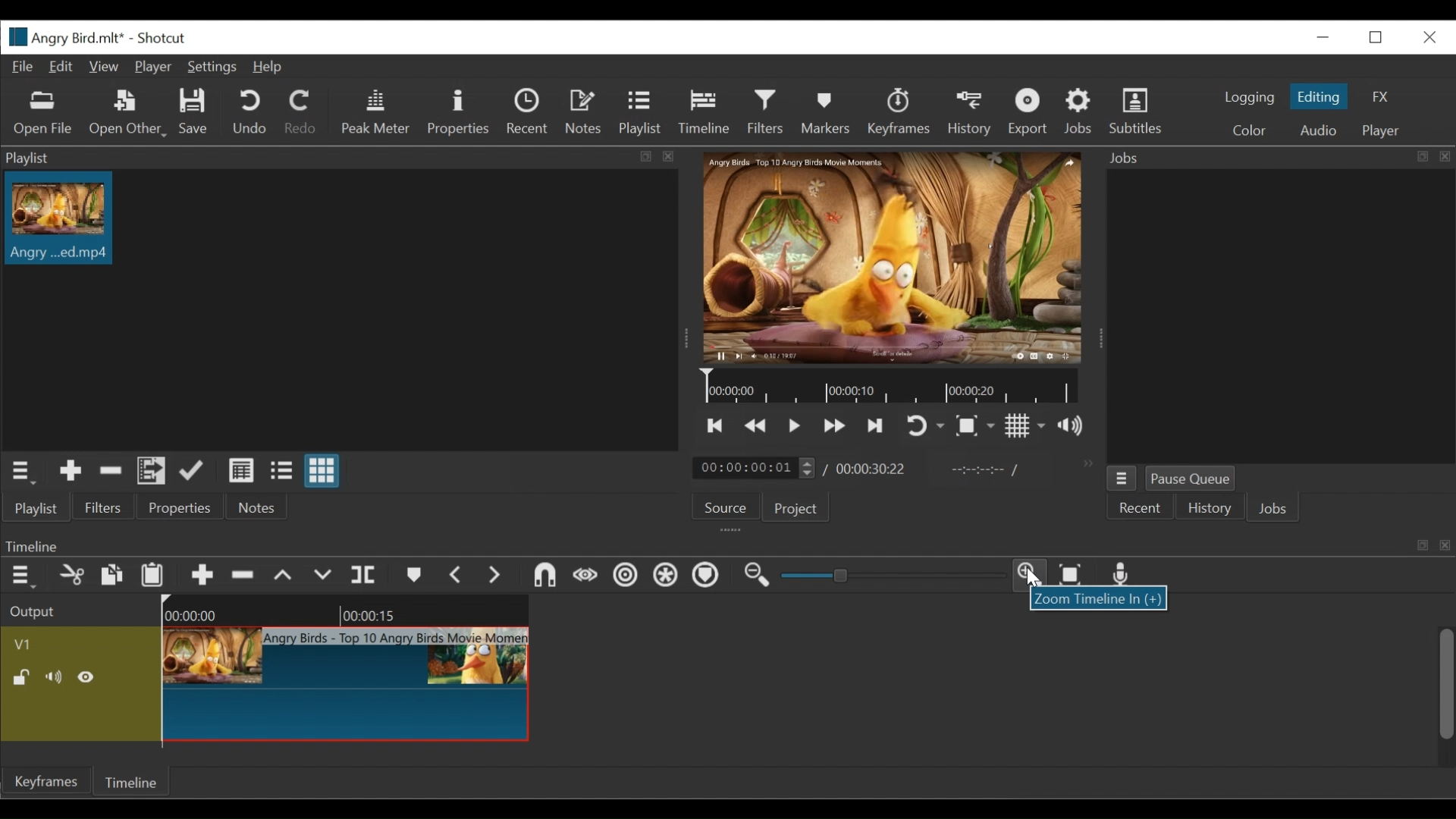 The image size is (1456, 819). What do you see at coordinates (268, 67) in the screenshot?
I see `Help` at bounding box center [268, 67].